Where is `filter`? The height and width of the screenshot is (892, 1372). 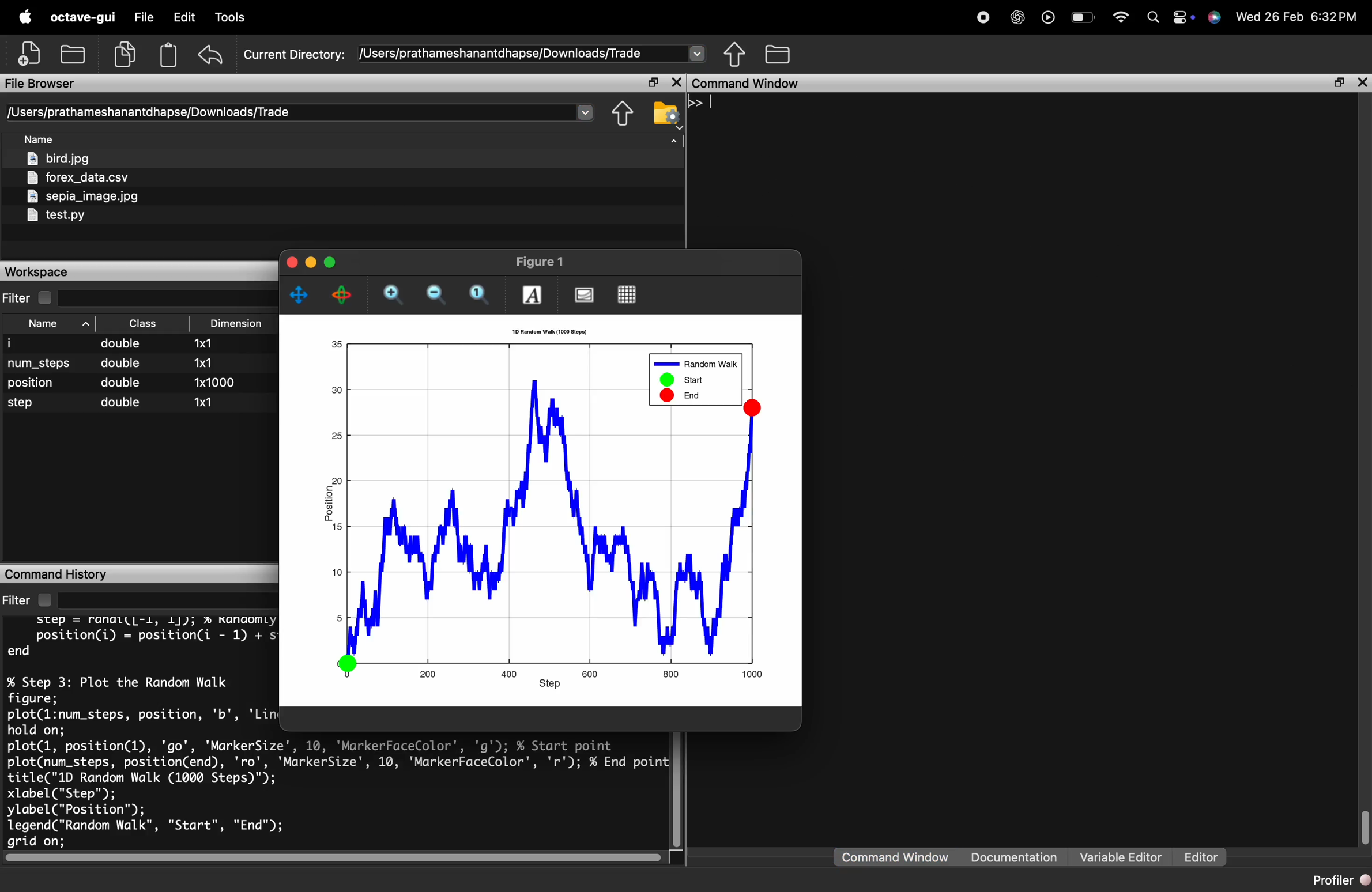
filter is located at coordinates (32, 298).